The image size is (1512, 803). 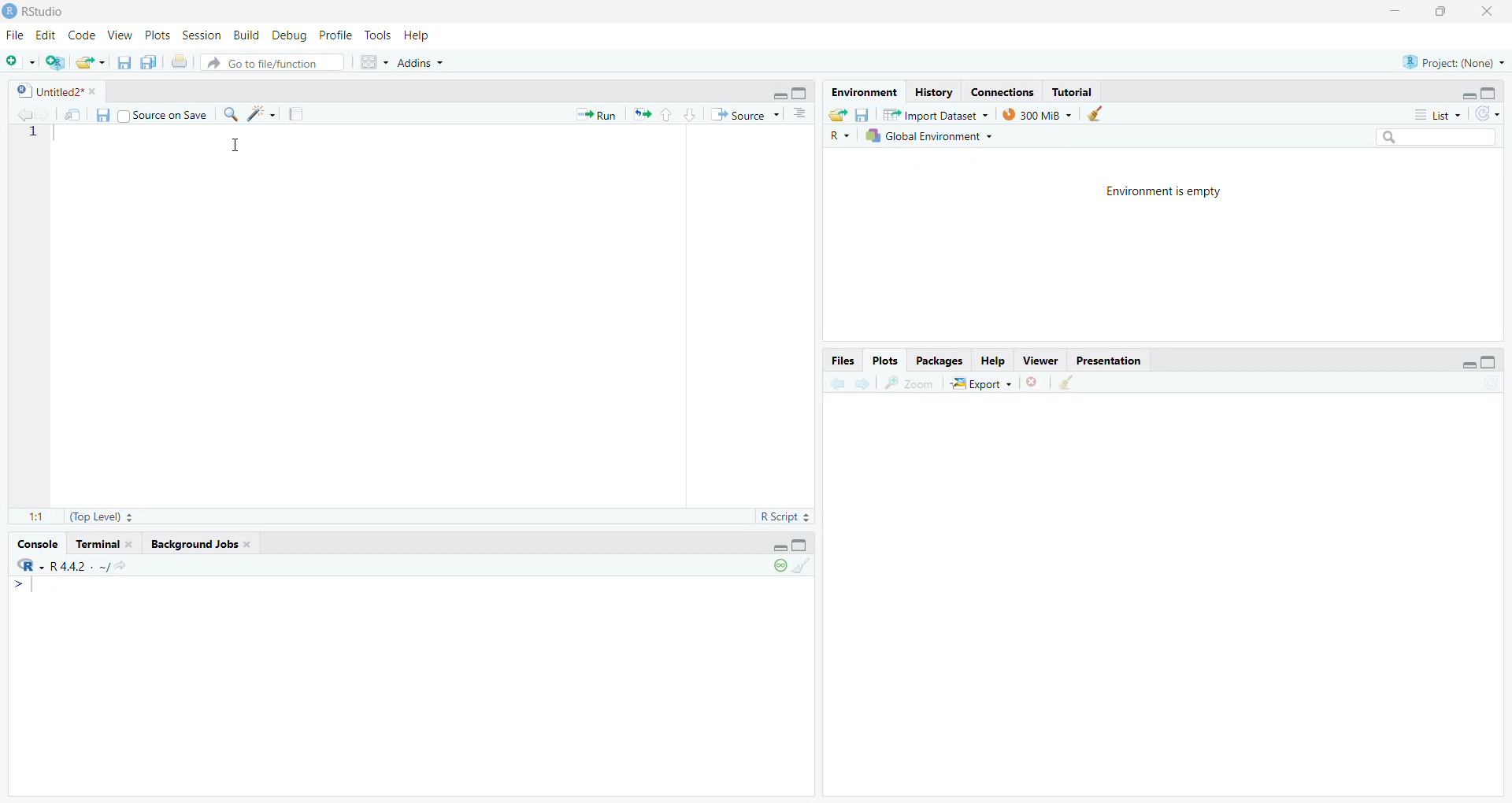 What do you see at coordinates (176, 61) in the screenshot?
I see `print the current file` at bounding box center [176, 61].